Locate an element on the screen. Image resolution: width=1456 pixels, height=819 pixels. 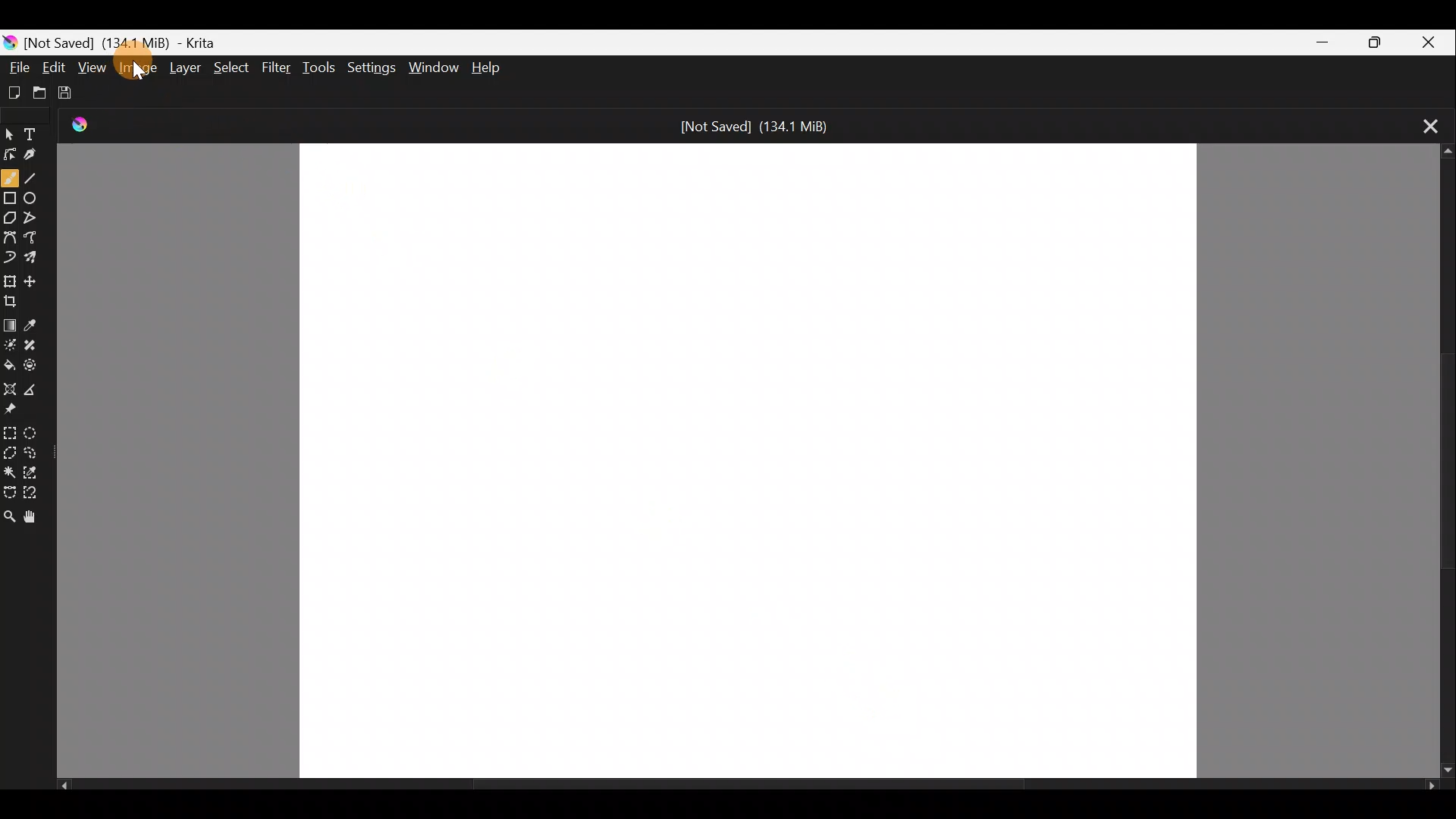
Multibrush tool is located at coordinates (38, 260).